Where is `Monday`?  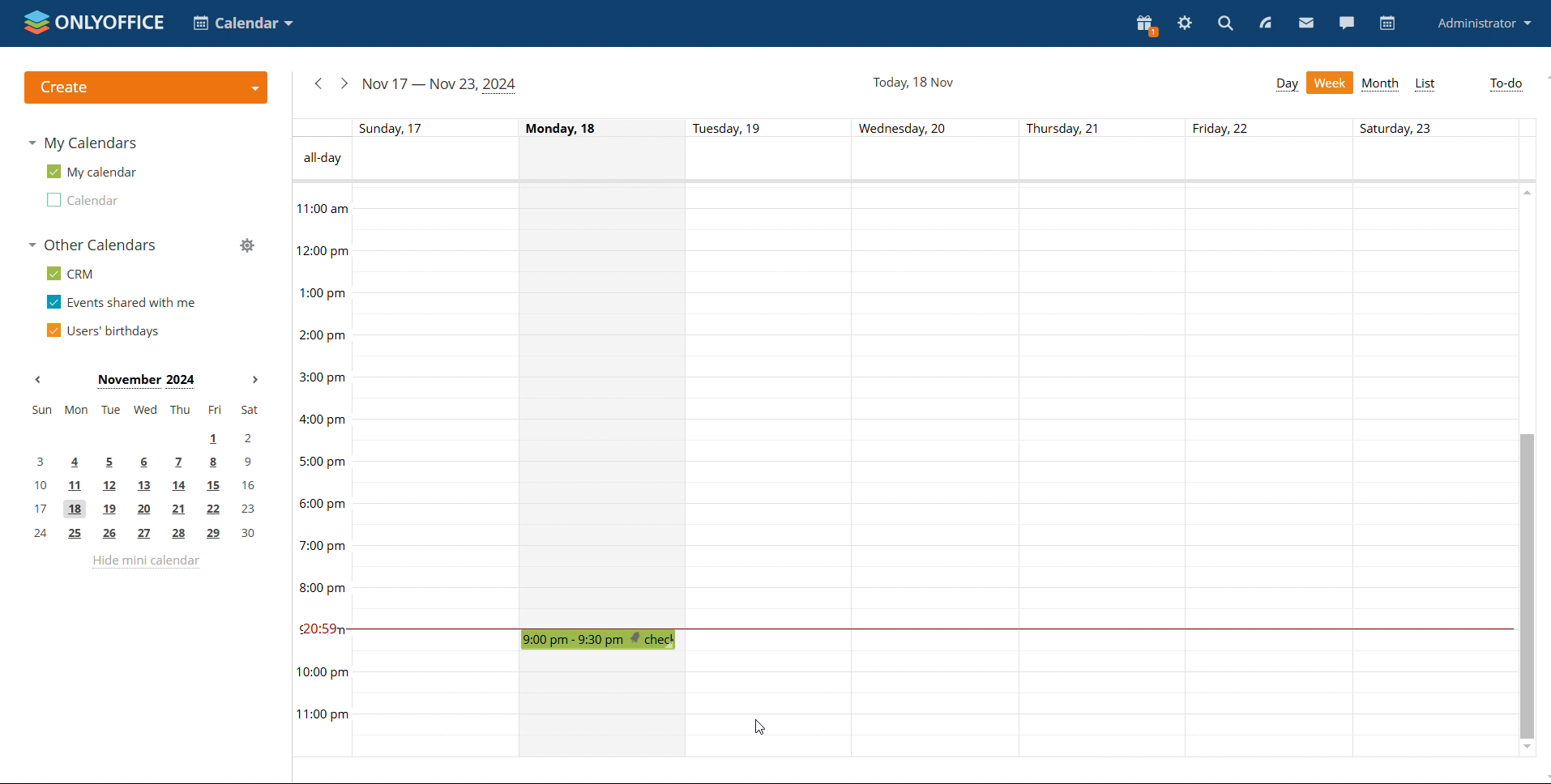 Monday is located at coordinates (606, 404).